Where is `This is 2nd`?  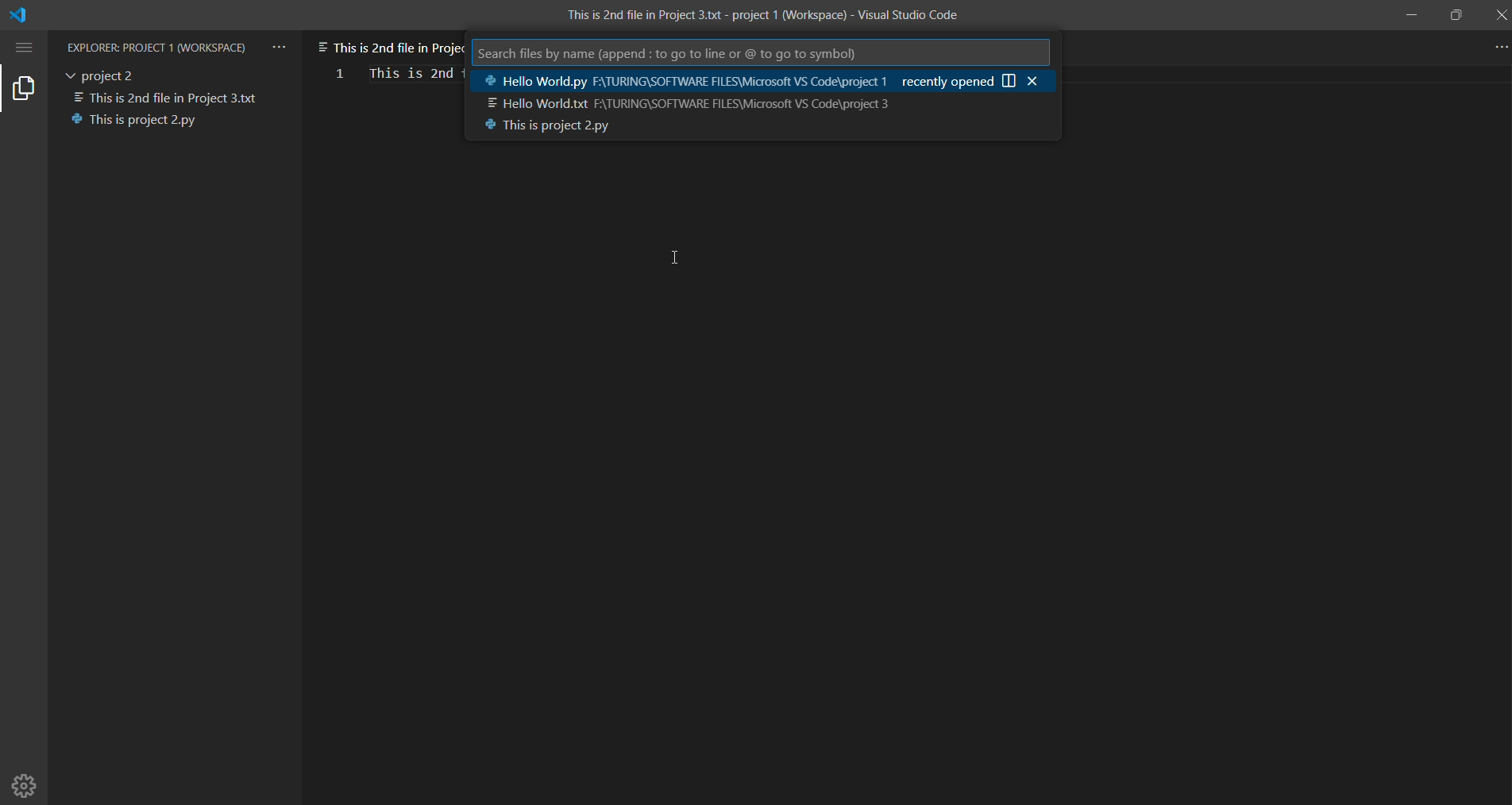 This is 2nd is located at coordinates (411, 71).